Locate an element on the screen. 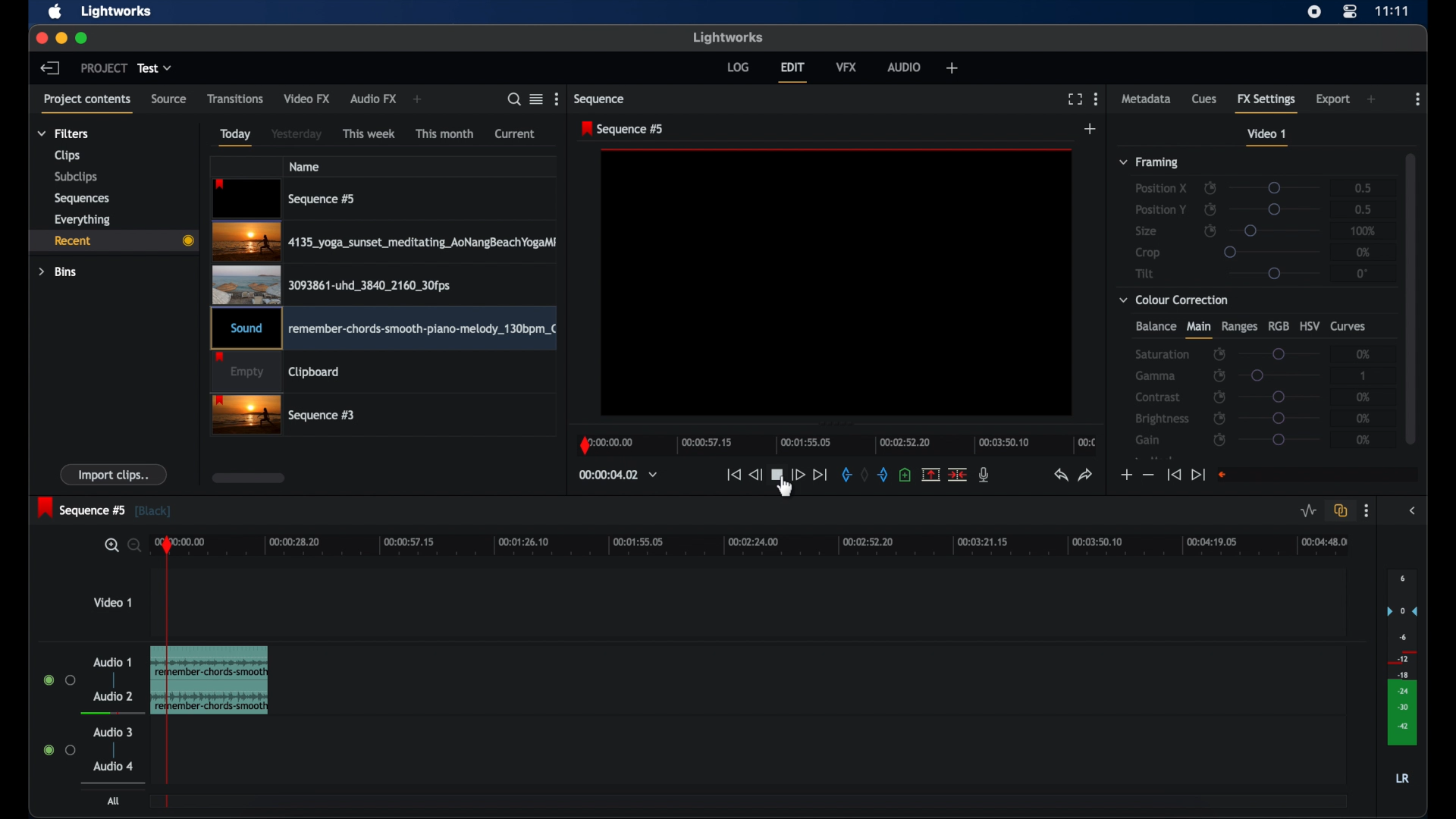  sequences is located at coordinates (83, 198).